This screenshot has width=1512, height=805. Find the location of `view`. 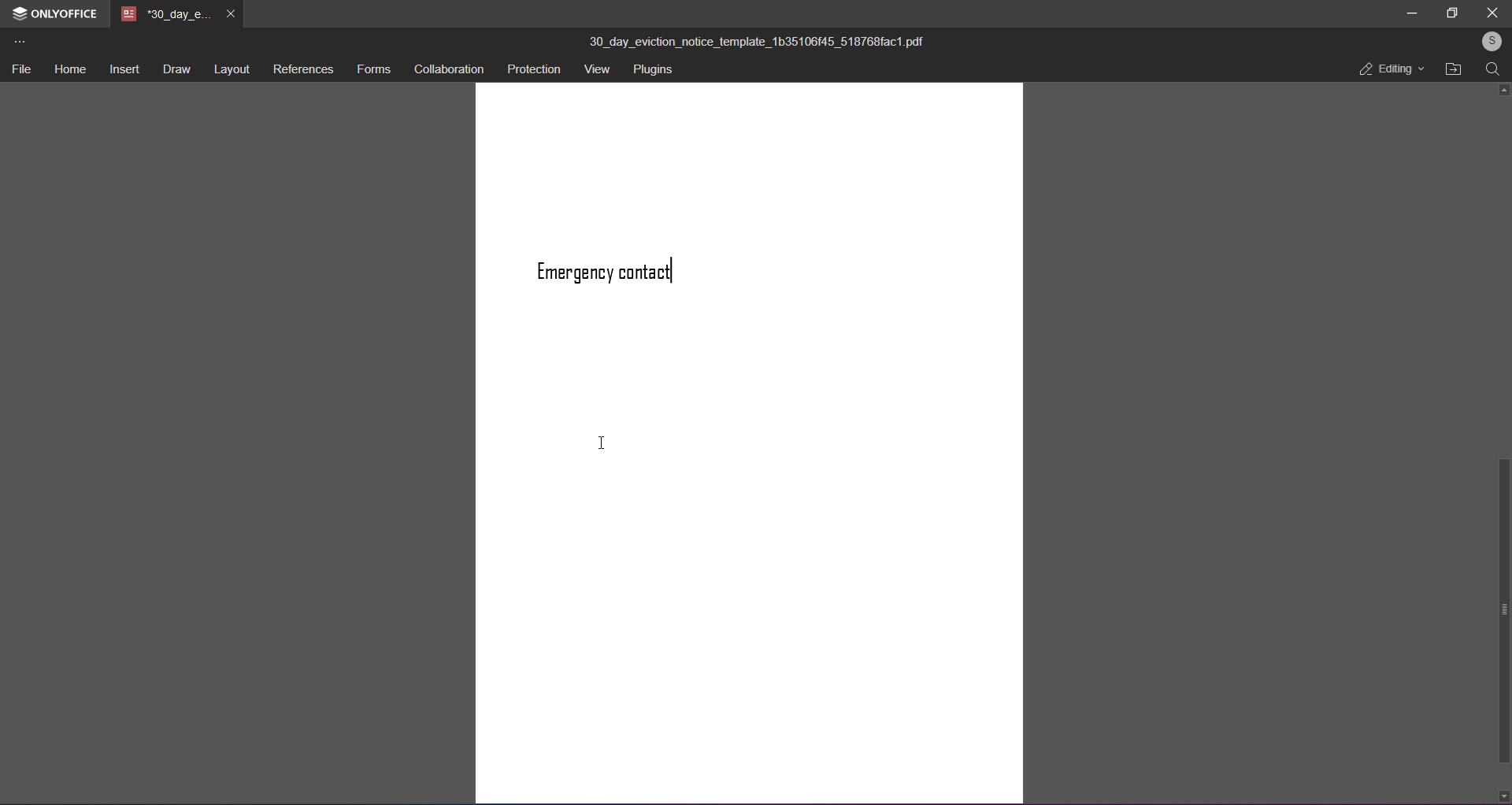

view is located at coordinates (597, 70).